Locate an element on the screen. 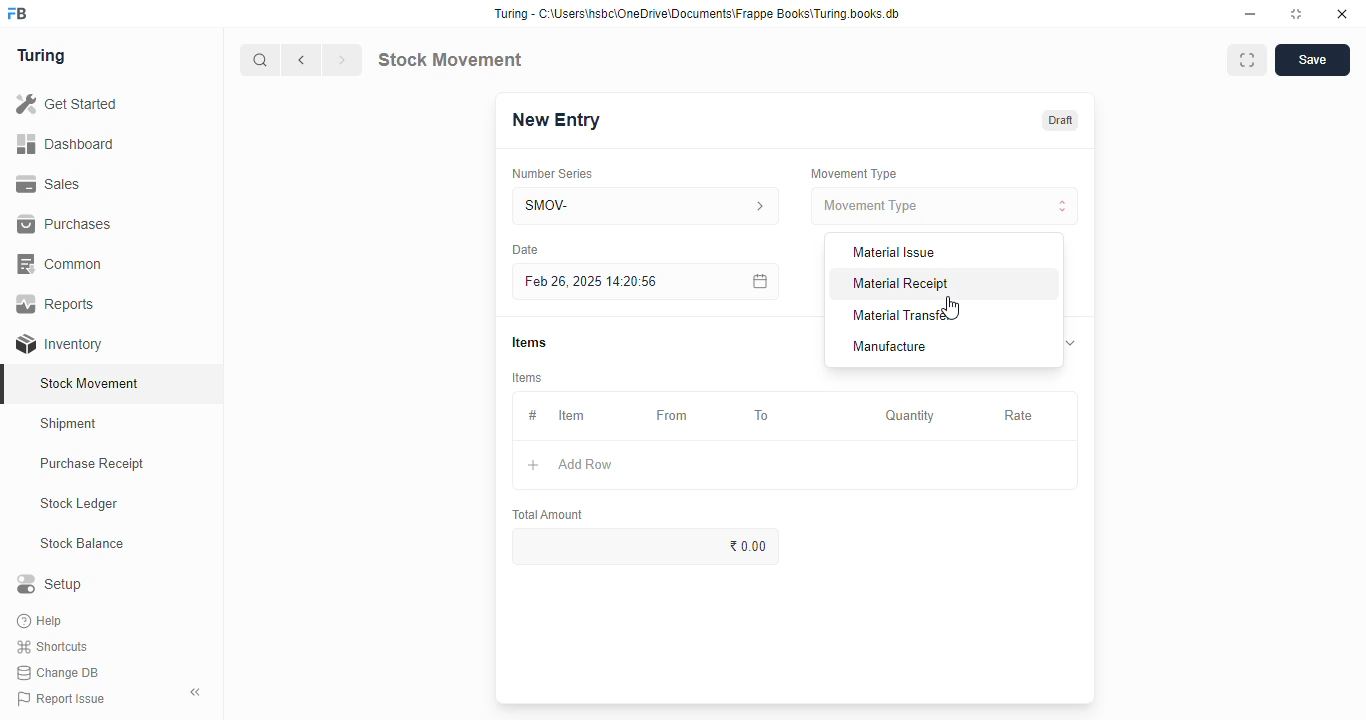  material receipt is located at coordinates (901, 284).